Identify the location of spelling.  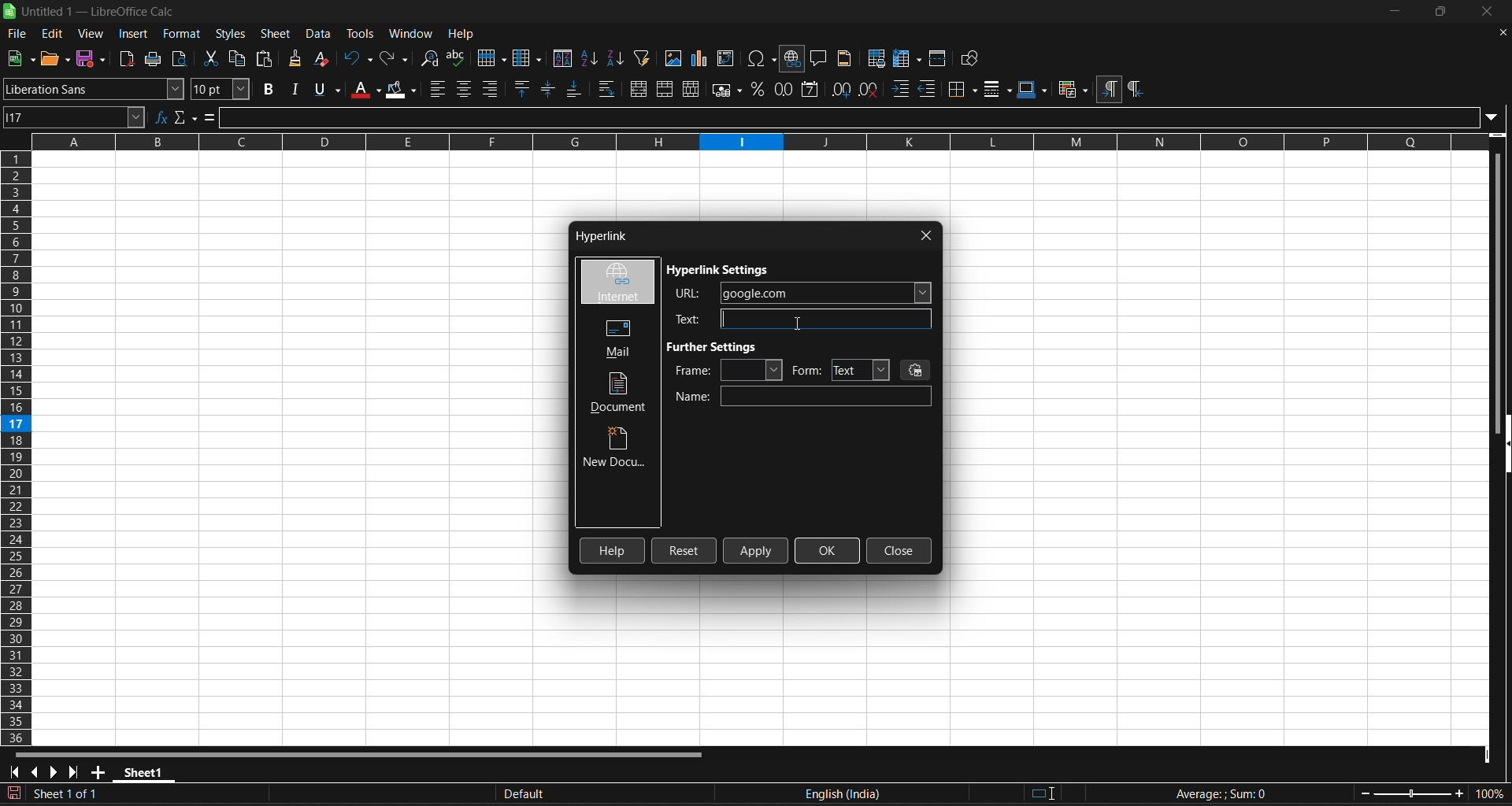
(458, 58).